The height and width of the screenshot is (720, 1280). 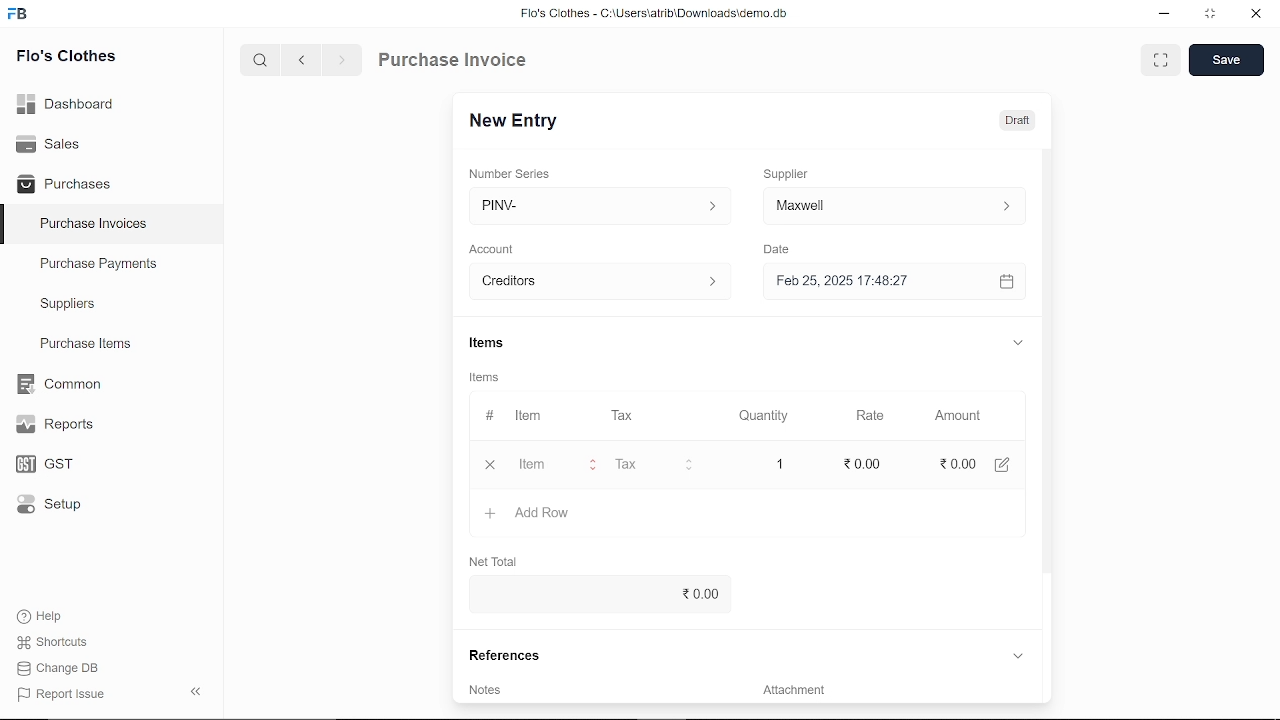 I want to click on Setup, so click(x=44, y=508).